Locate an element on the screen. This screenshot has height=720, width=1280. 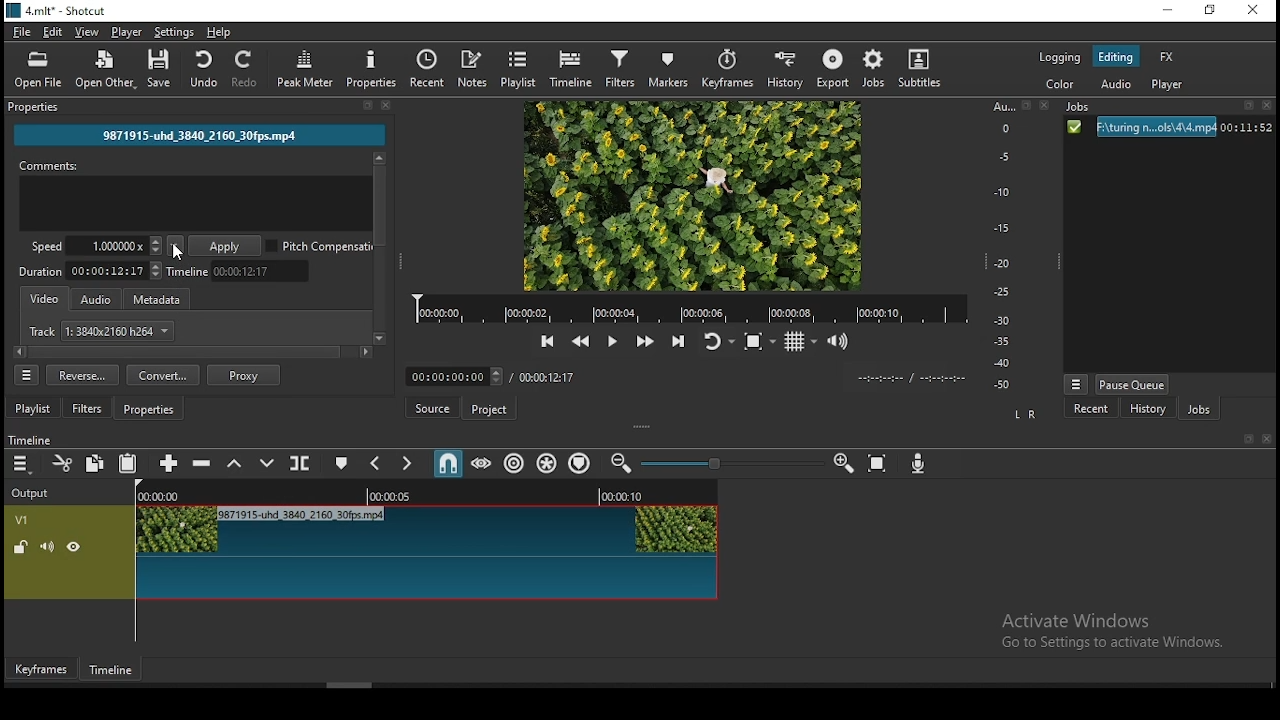
play quickly forwards is located at coordinates (649, 341).